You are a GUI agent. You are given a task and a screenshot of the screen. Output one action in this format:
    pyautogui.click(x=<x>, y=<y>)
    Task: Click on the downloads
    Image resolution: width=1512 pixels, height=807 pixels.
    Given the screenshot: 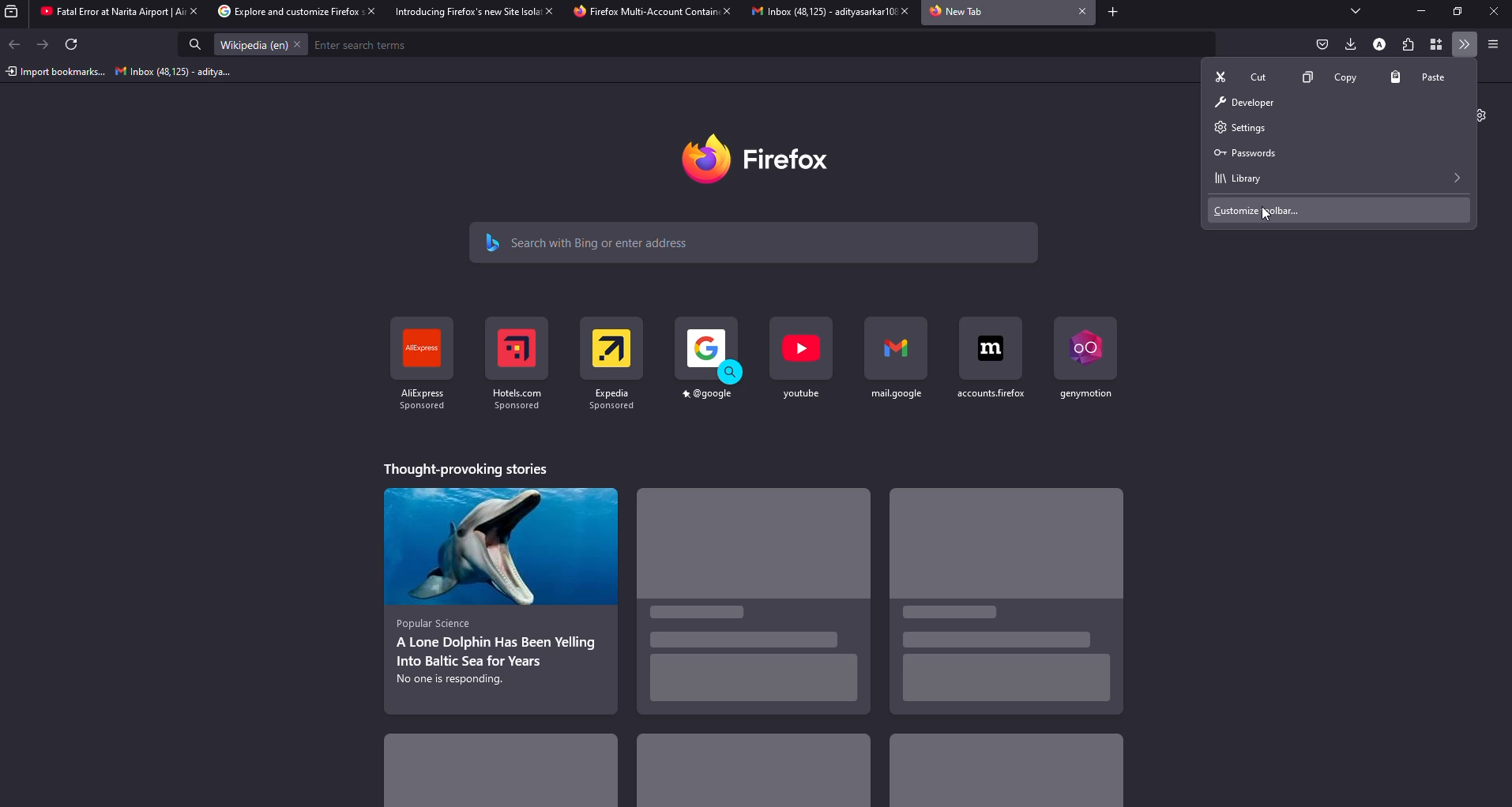 What is the action you would take?
    pyautogui.click(x=1348, y=43)
    